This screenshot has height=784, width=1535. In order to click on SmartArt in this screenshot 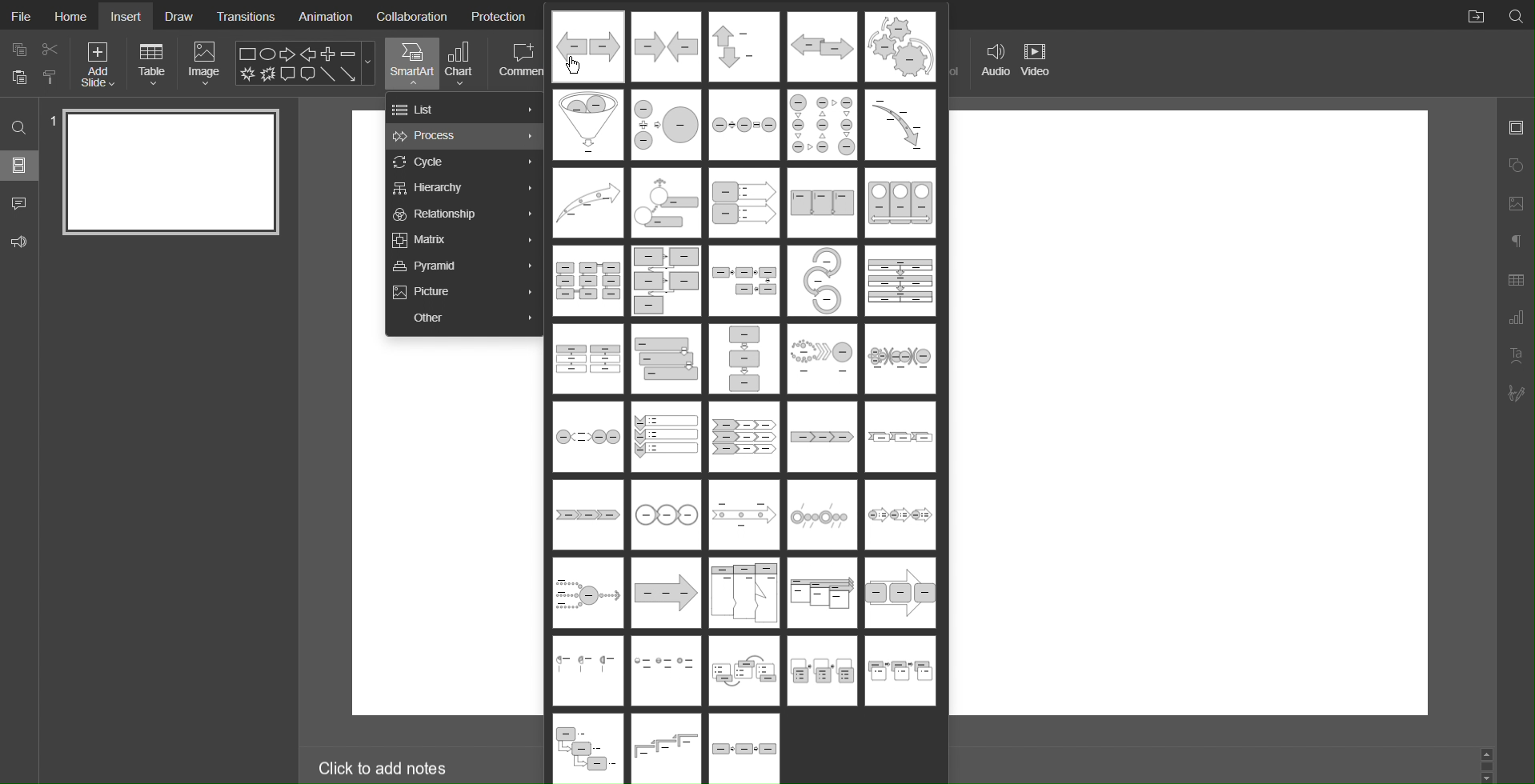, I will do `click(411, 64)`.